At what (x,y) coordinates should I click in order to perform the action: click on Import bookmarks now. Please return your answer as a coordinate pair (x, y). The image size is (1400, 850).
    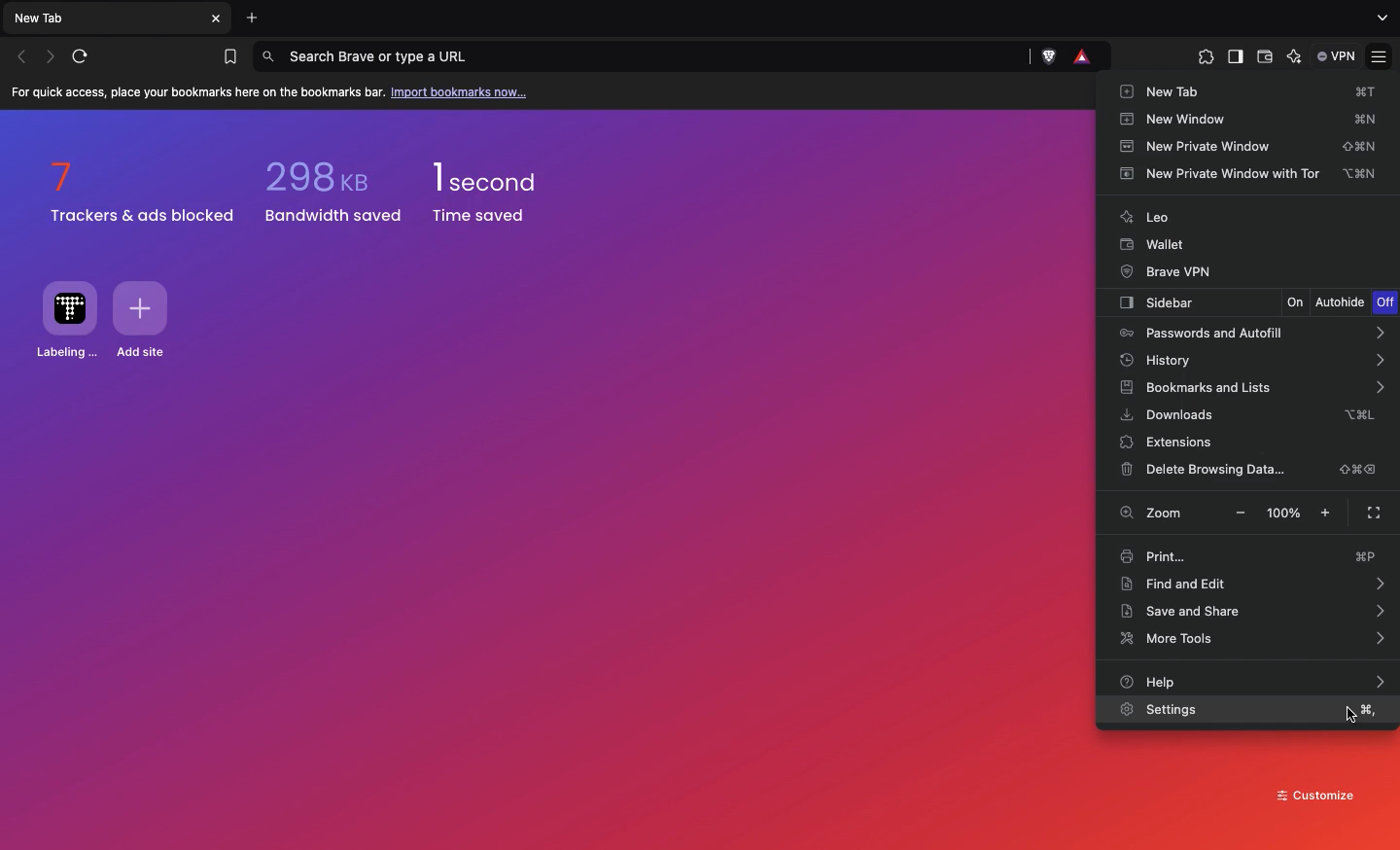
    Looking at the image, I should click on (461, 93).